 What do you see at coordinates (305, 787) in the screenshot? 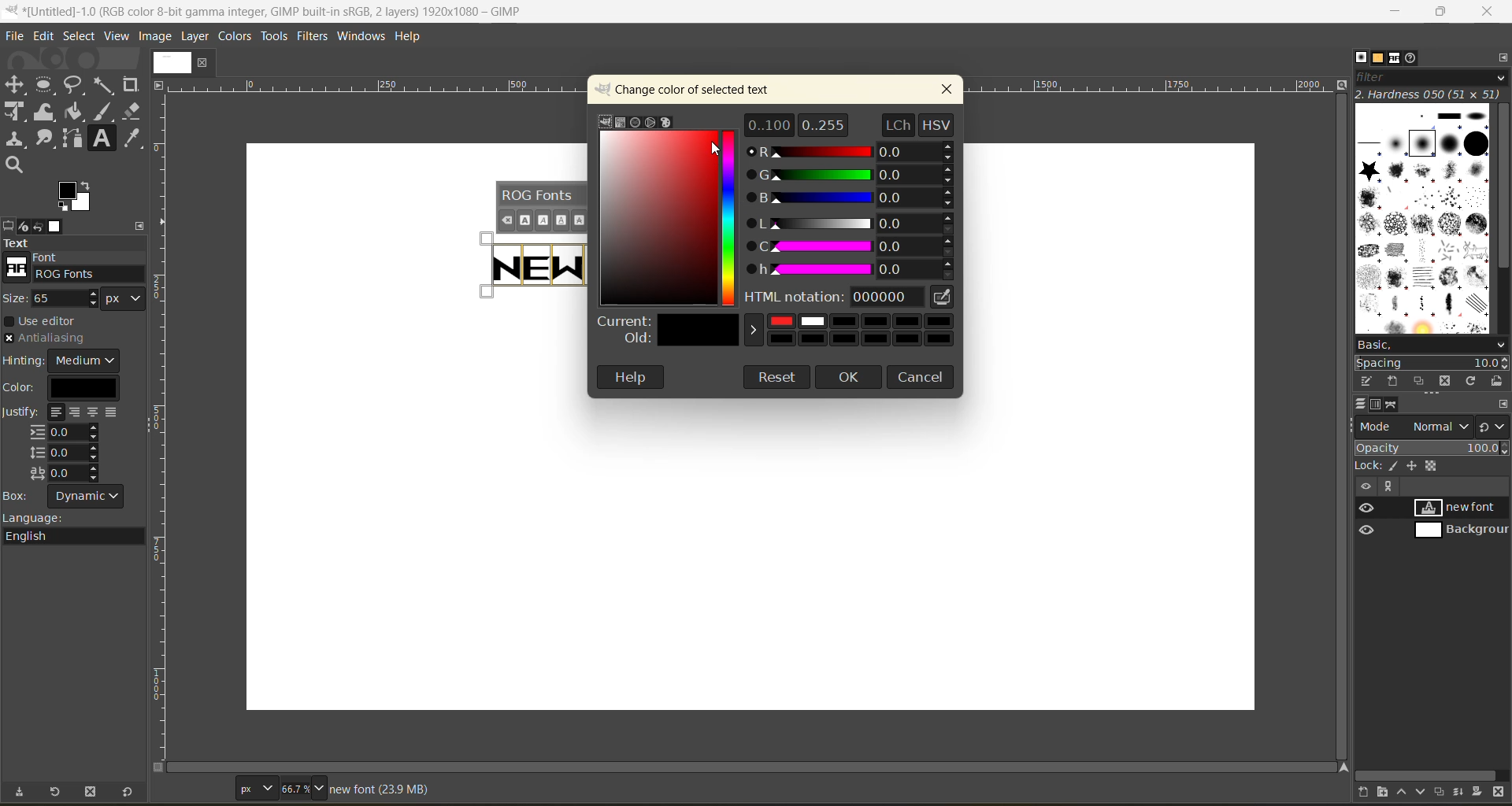
I see `zoom` at bounding box center [305, 787].